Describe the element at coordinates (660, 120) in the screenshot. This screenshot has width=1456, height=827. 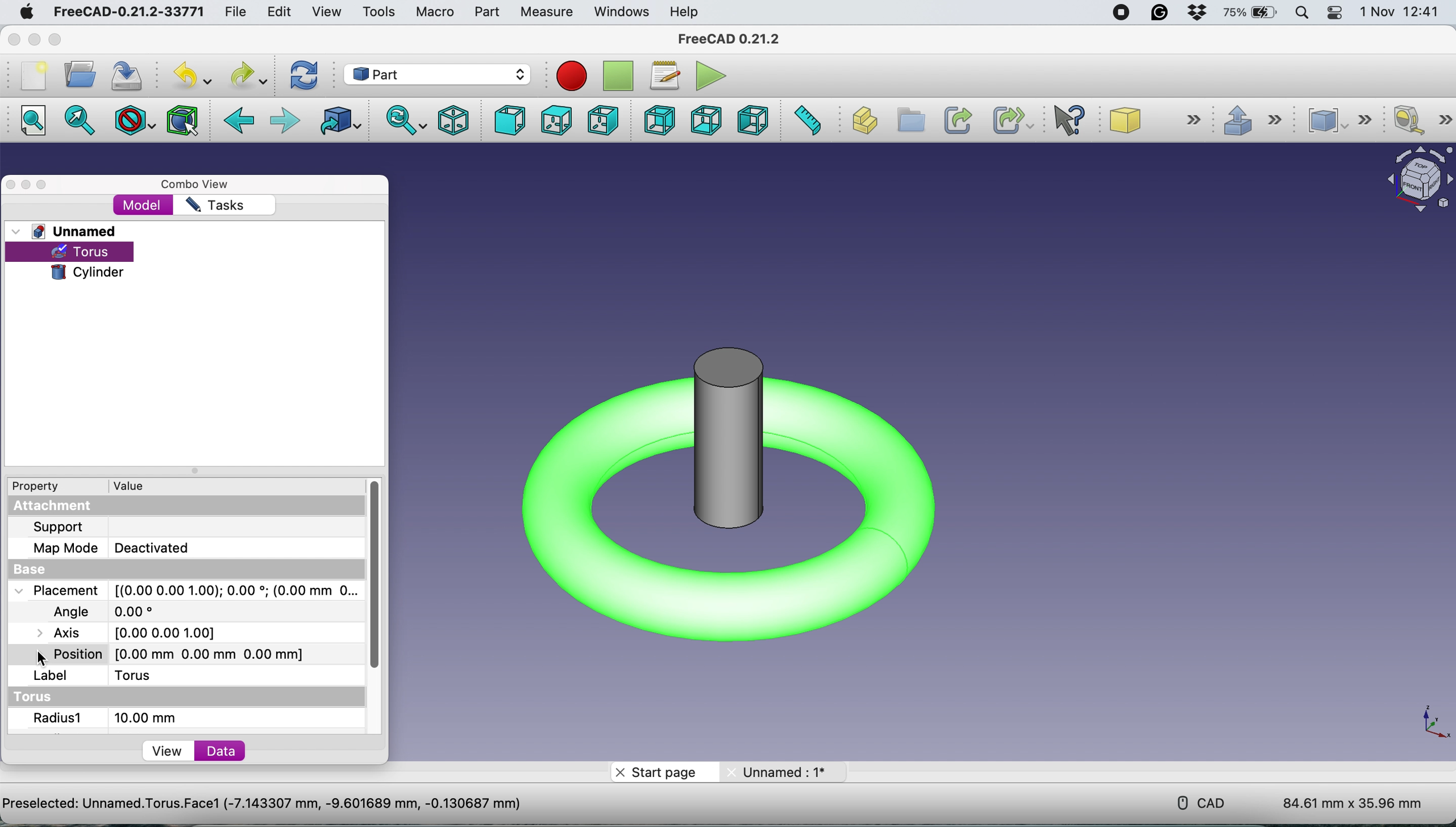
I see `rear` at that location.